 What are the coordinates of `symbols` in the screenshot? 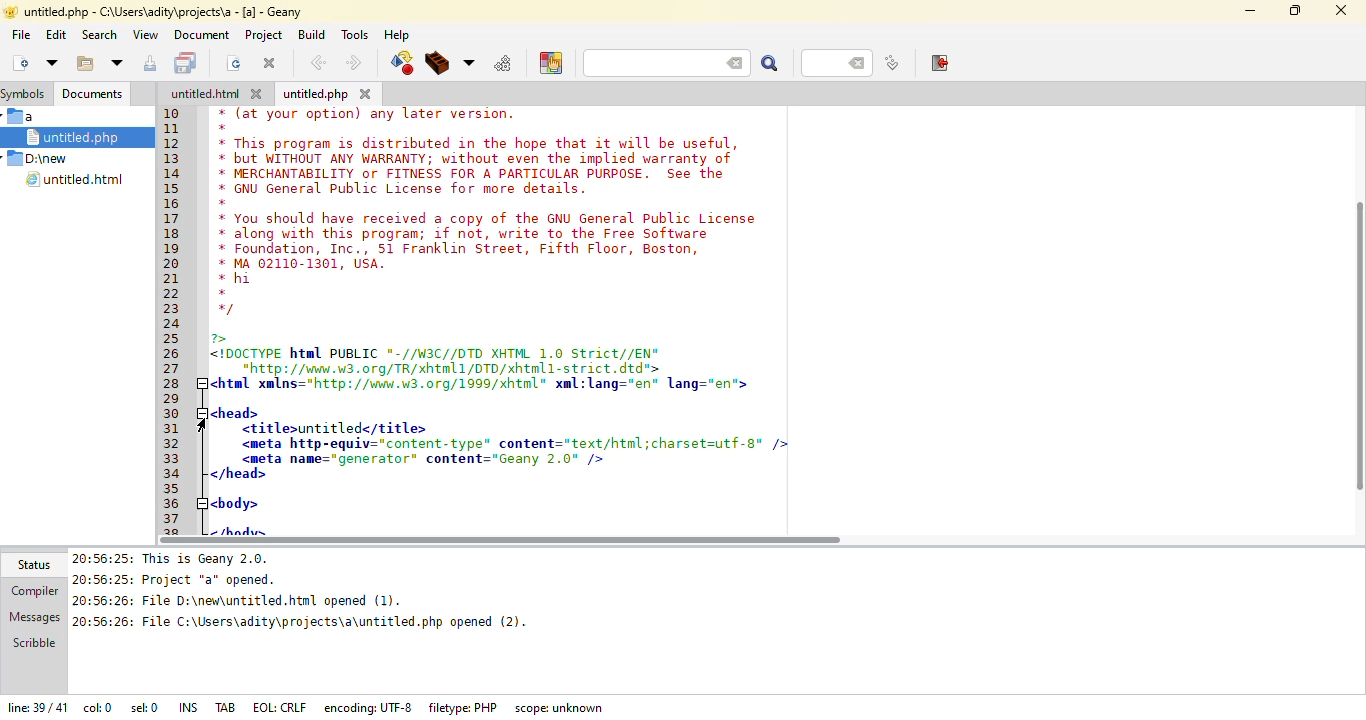 It's located at (24, 93).